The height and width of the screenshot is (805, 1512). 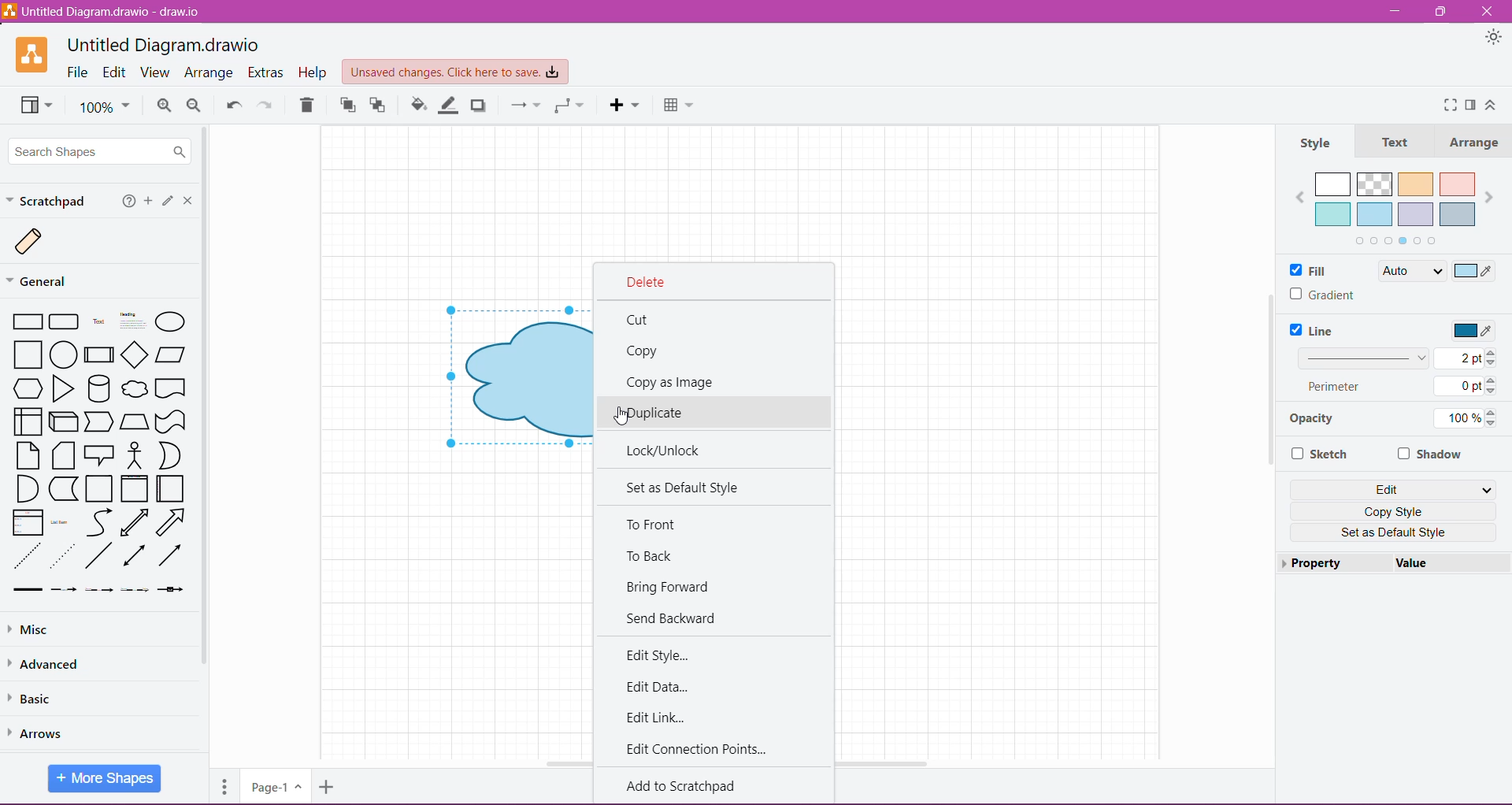 What do you see at coordinates (31, 630) in the screenshot?
I see `Misc` at bounding box center [31, 630].